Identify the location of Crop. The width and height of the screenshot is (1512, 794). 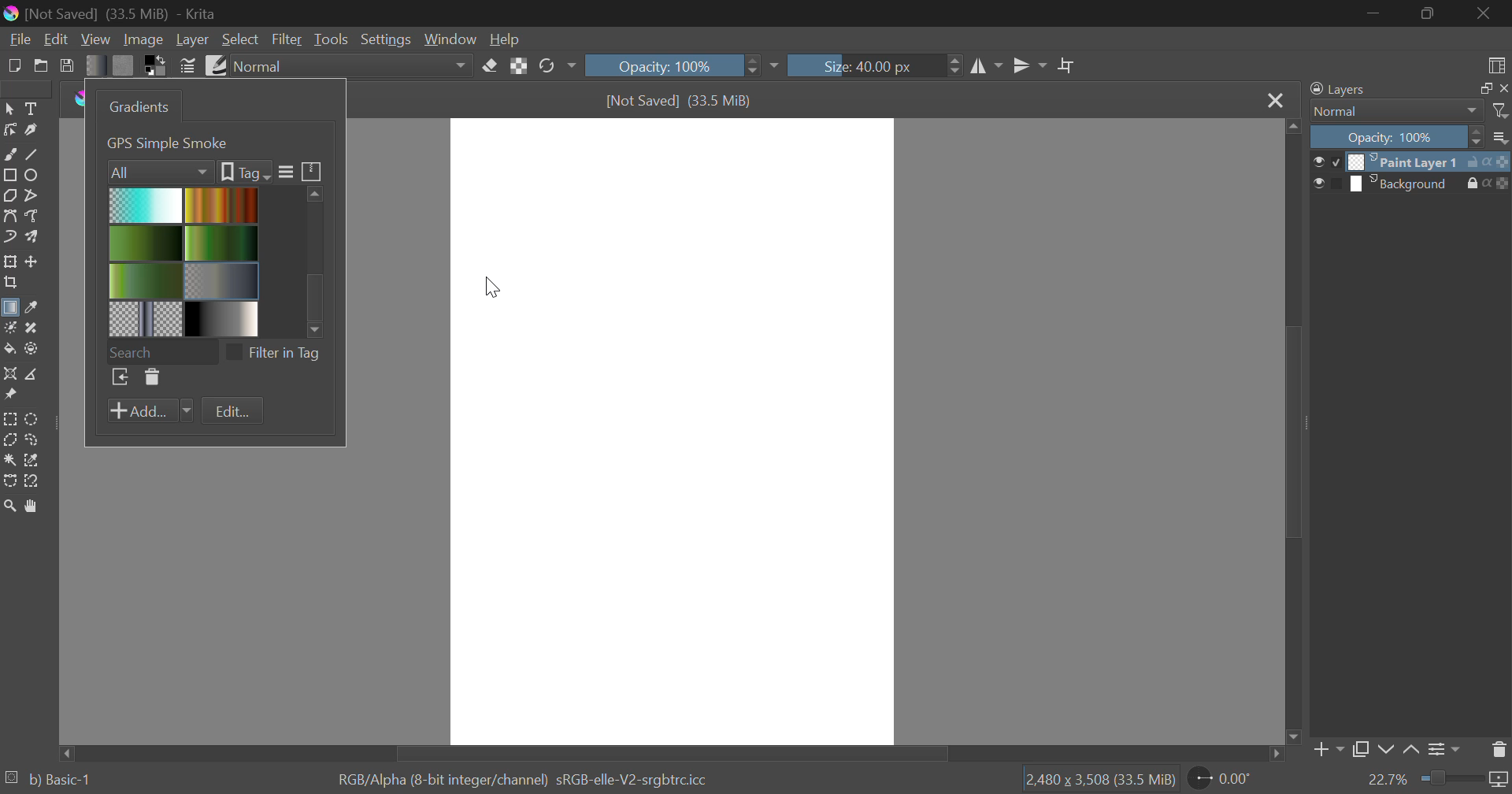
(1067, 66).